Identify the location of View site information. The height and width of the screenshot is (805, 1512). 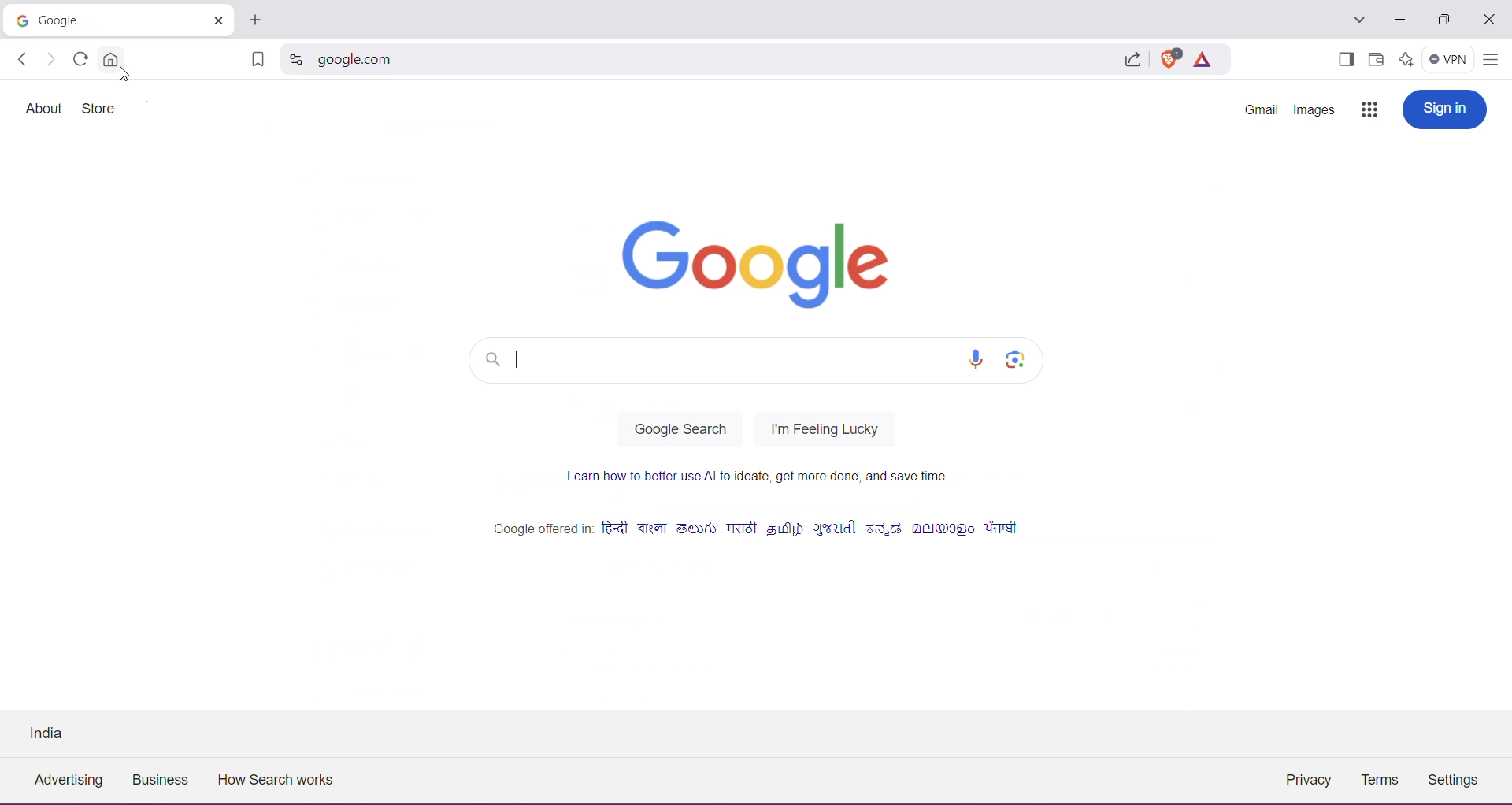
(295, 61).